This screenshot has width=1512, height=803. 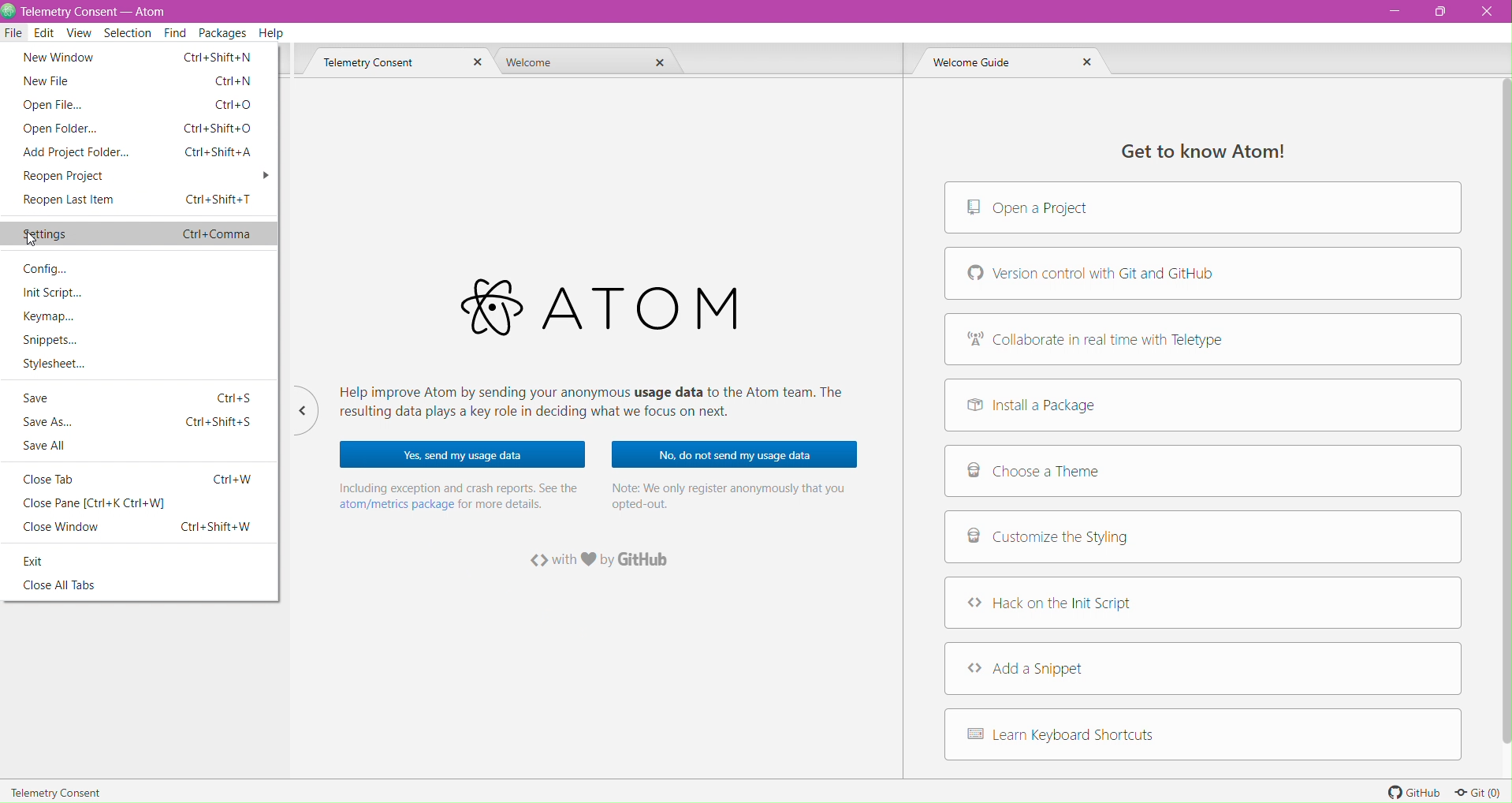 What do you see at coordinates (1204, 338) in the screenshot?
I see `Collaborate in real time with Teletype` at bounding box center [1204, 338].